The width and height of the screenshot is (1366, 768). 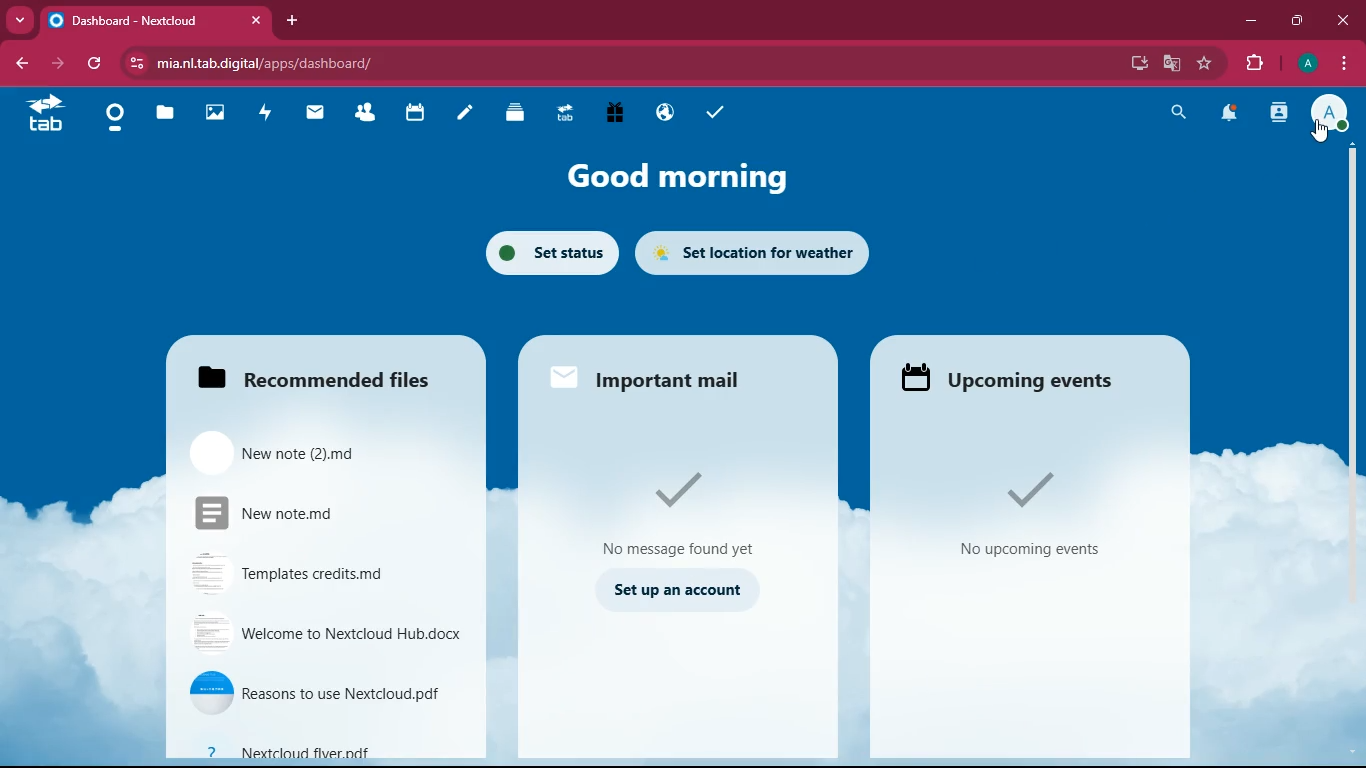 What do you see at coordinates (159, 21) in the screenshot?
I see `dashboard-nextcloud` at bounding box center [159, 21].